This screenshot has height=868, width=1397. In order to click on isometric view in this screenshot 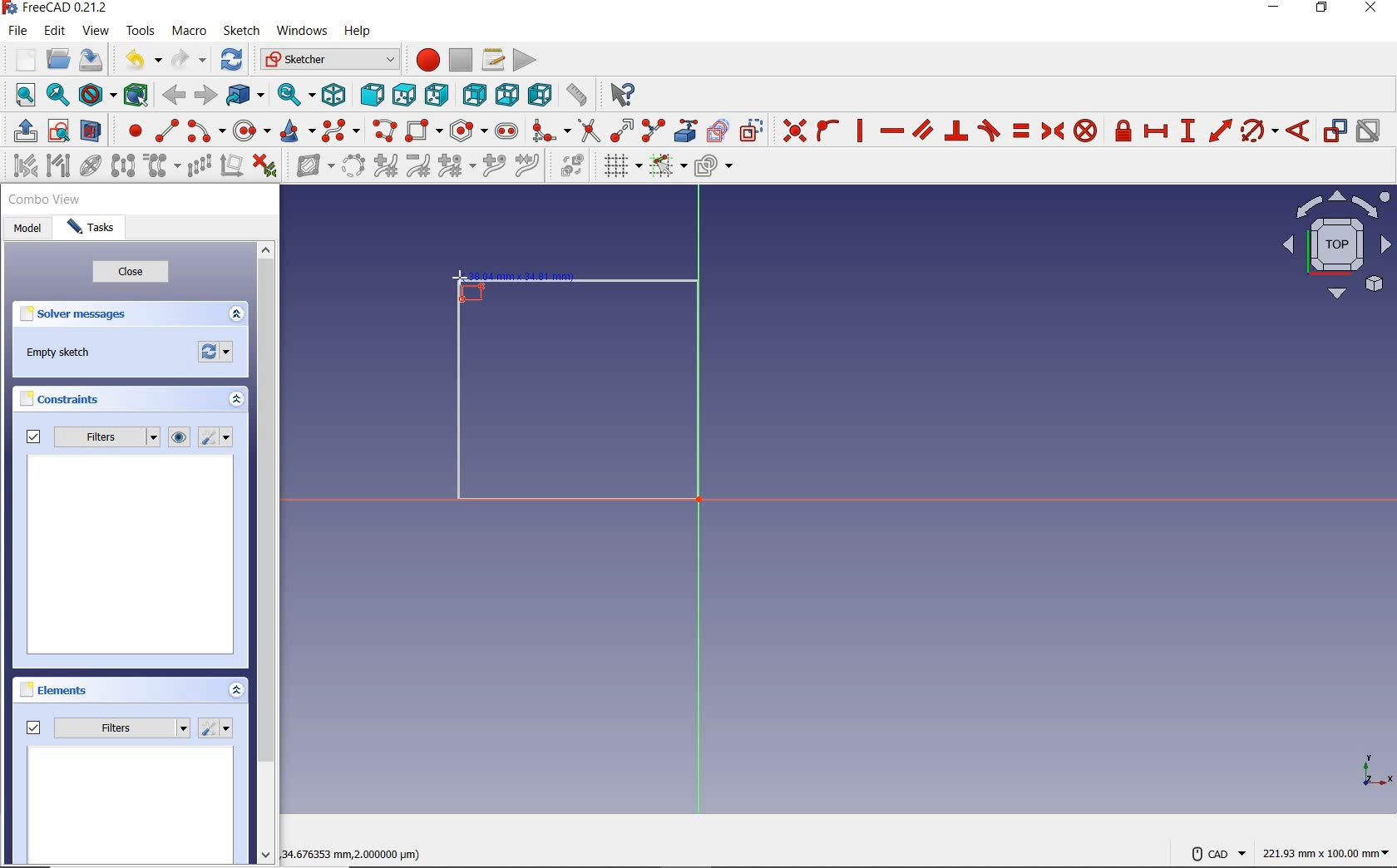, I will do `click(1337, 248)`.